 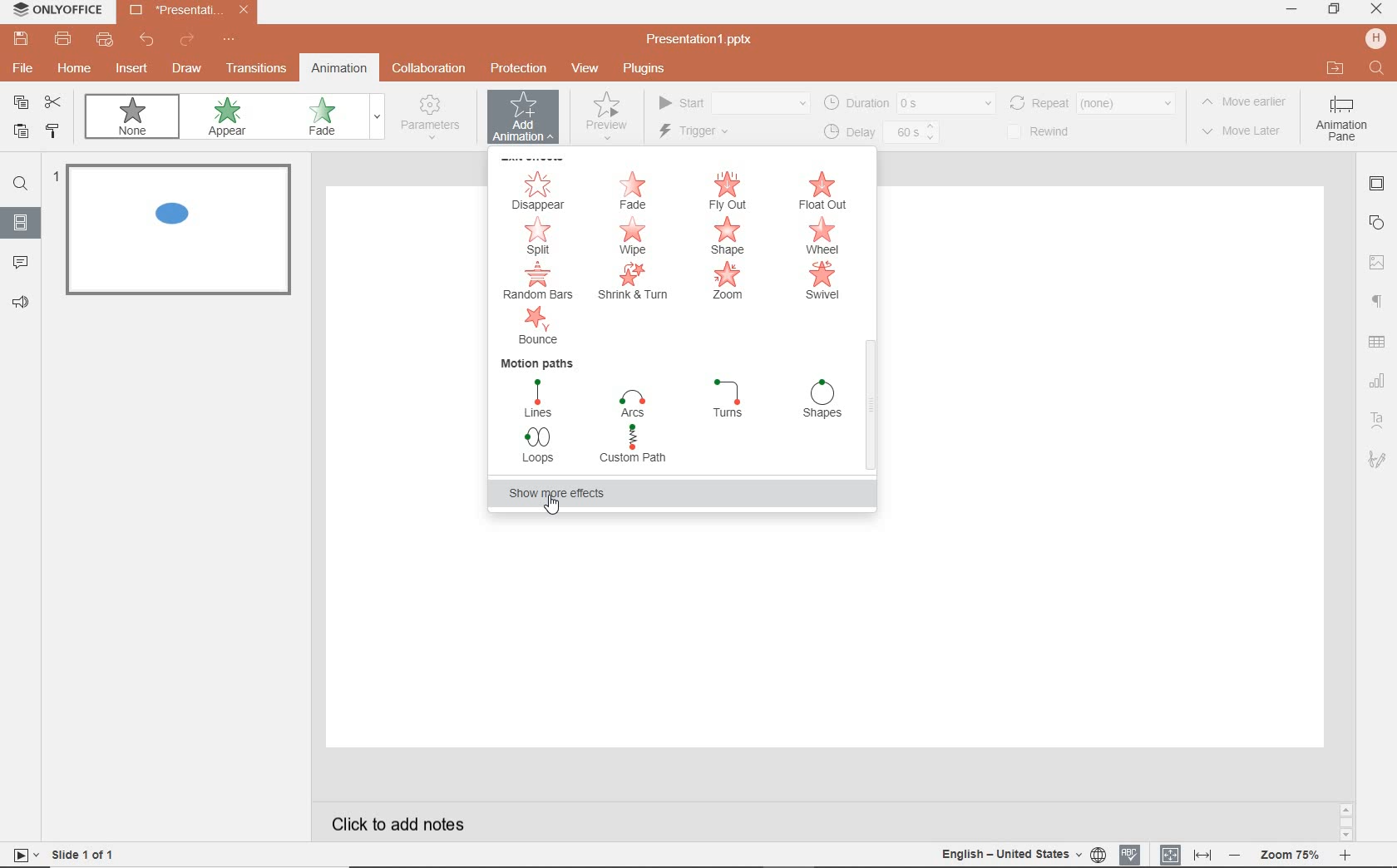 What do you see at coordinates (705, 40) in the screenshot?
I see `file name` at bounding box center [705, 40].